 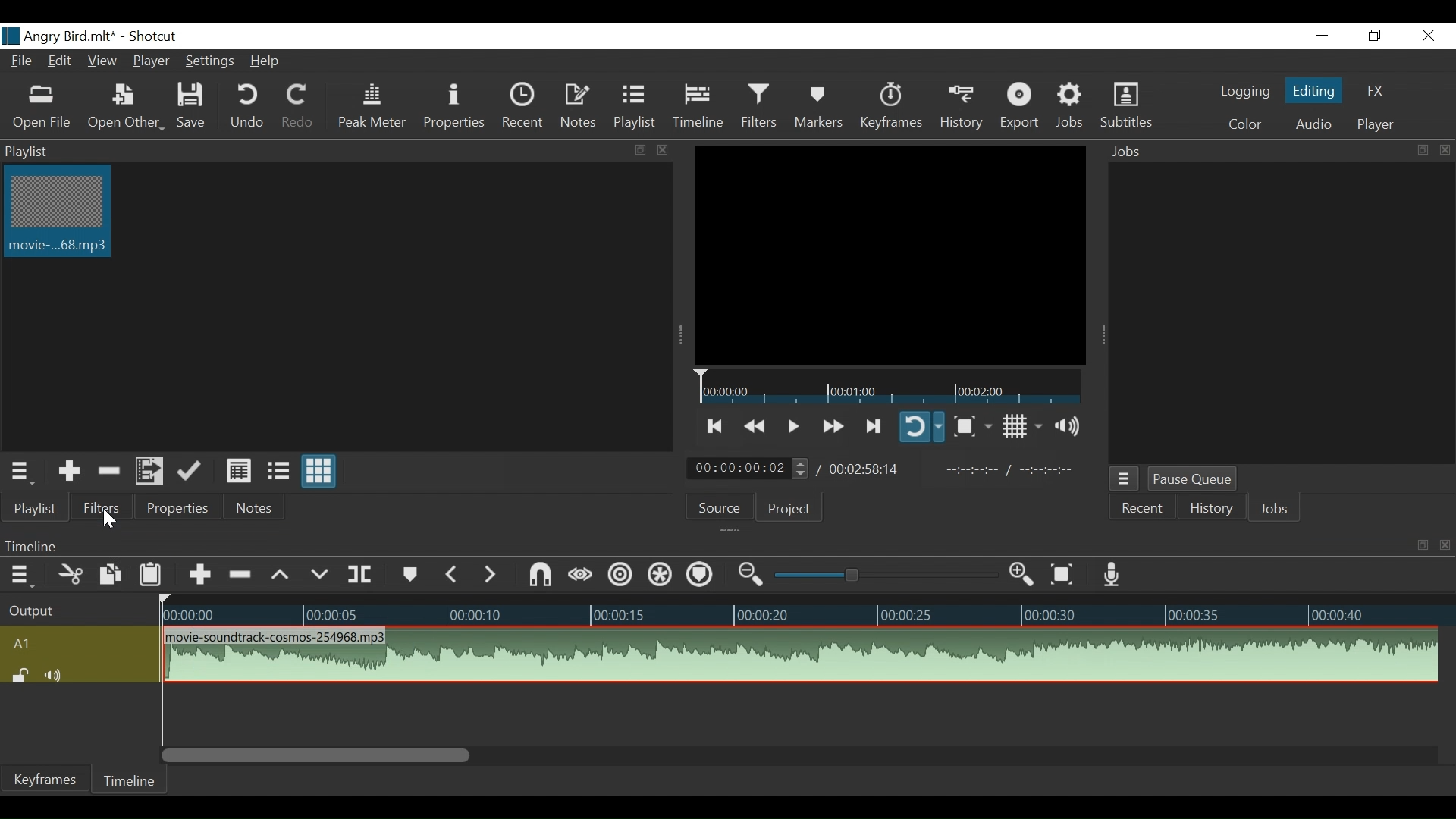 What do you see at coordinates (175, 507) in the screenshot?
I see `Properties` at bounding box center [175, 507].